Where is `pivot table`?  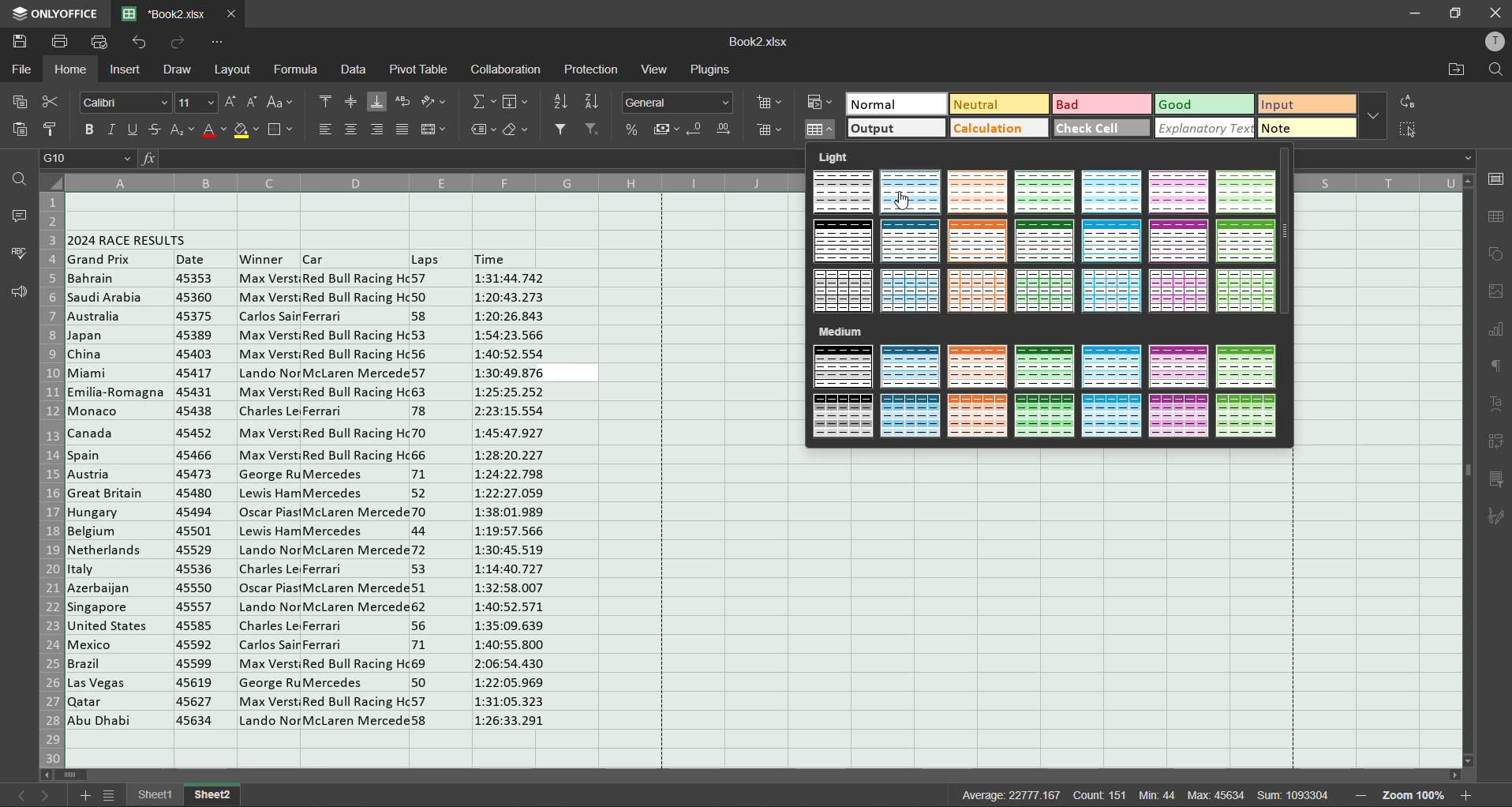
pivot table is located at coordinates (417, 69).